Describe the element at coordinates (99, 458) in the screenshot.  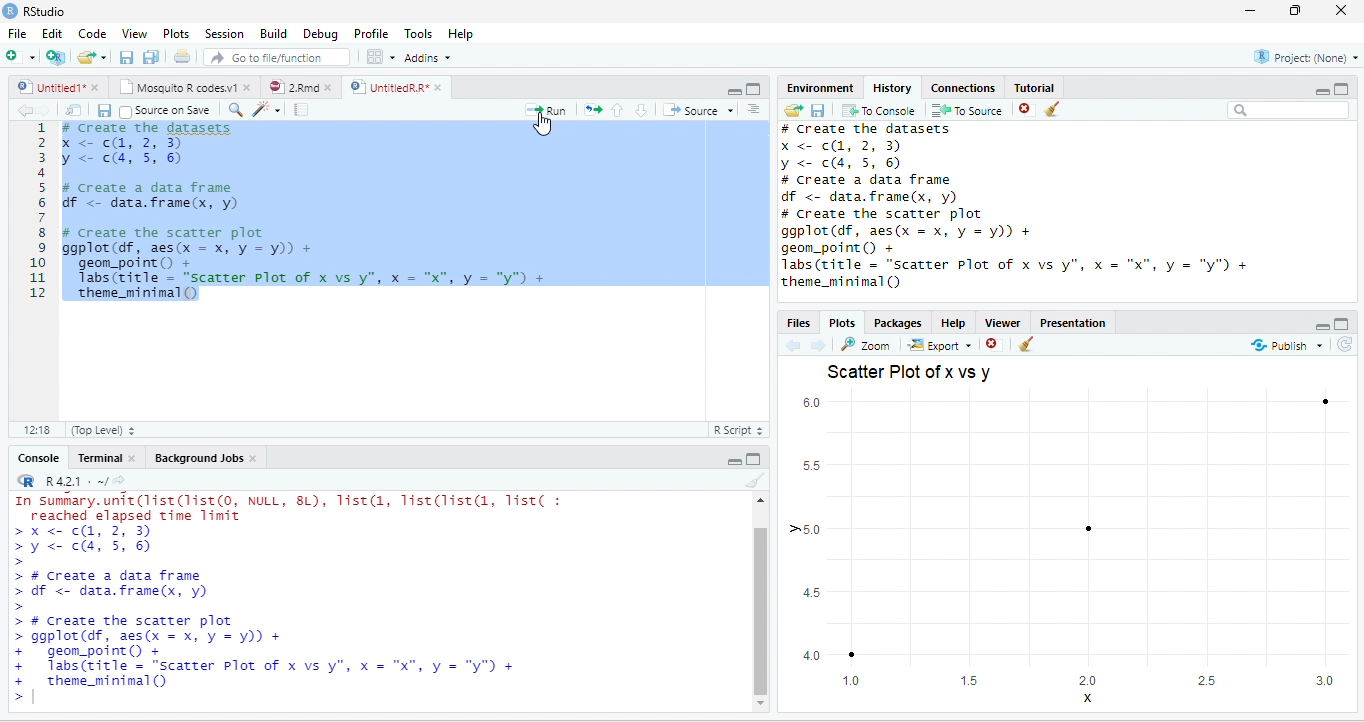
I see `Terminal` at that location.